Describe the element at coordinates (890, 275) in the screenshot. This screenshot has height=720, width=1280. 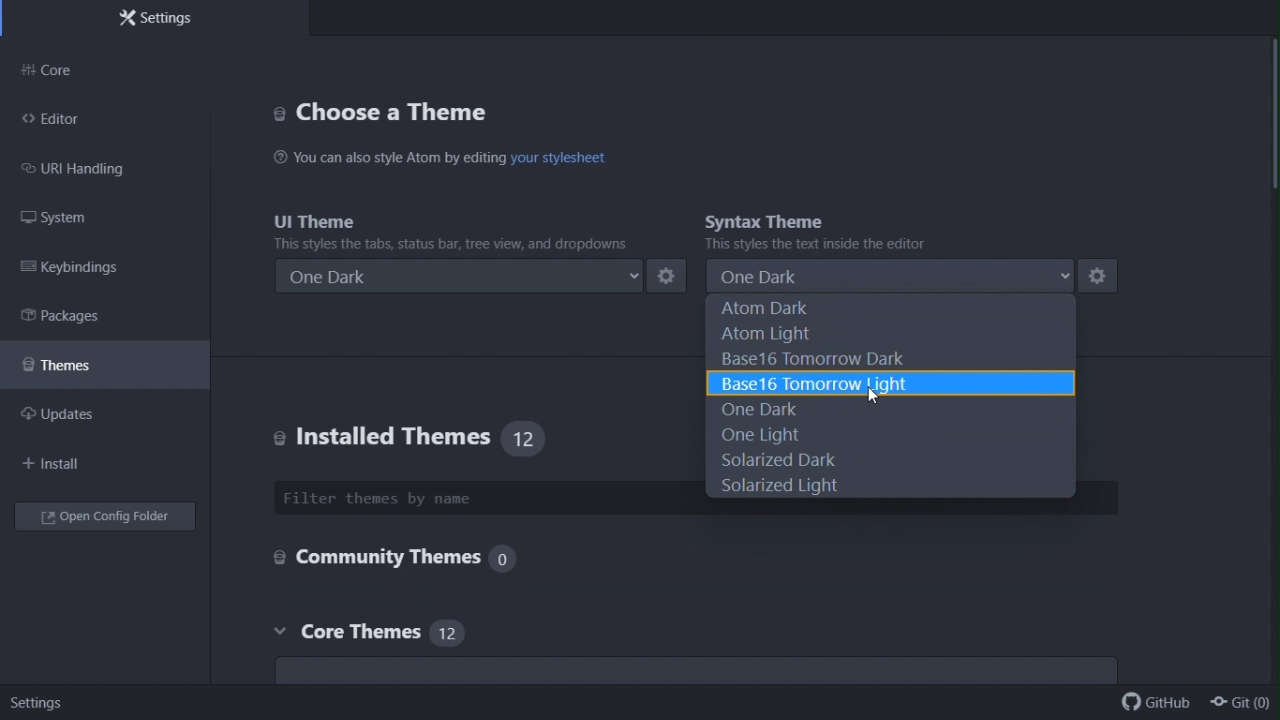
I see `One dark` at that location.